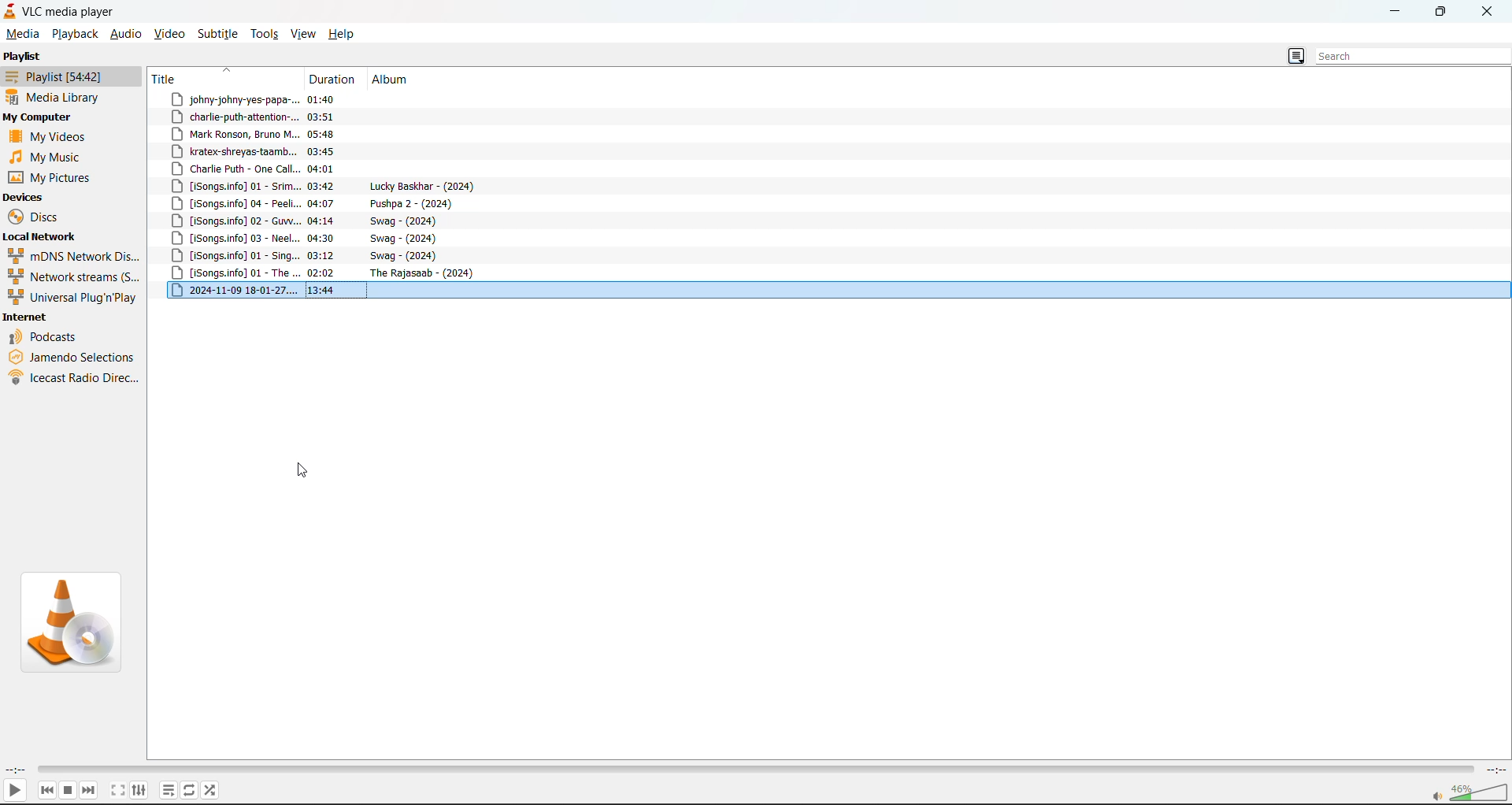 Image resolution: width=1512 pixels, height=805 pixels. What do you see at coordinates (306, 221) in the screenshot?
I see `track 8 title, duration and album details` at bounding box center [306, 221].